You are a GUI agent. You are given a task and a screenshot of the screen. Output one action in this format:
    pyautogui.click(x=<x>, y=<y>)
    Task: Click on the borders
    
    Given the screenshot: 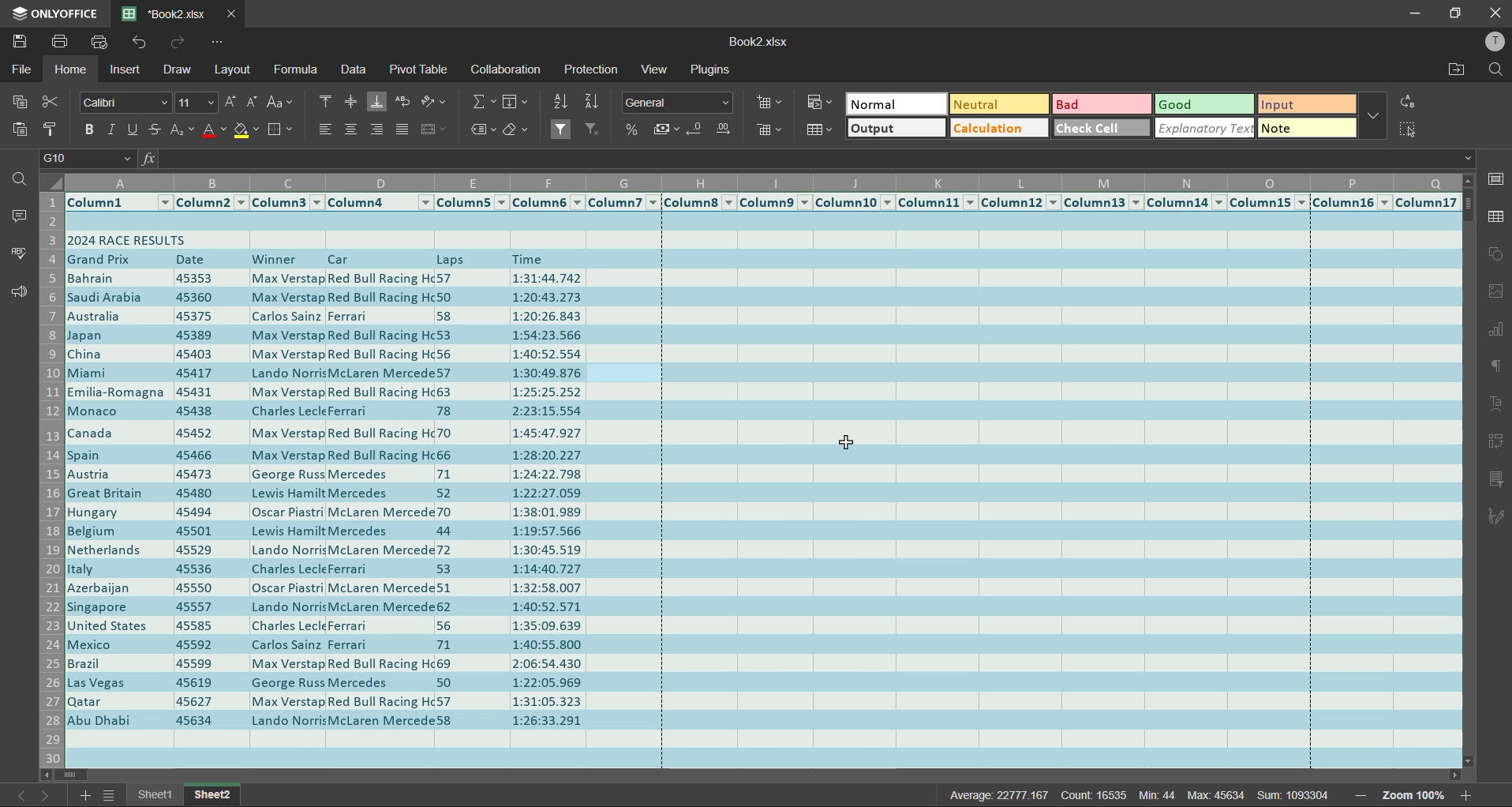 What is the action you would take?
    pyautogui.click(x=282, y=132)
    